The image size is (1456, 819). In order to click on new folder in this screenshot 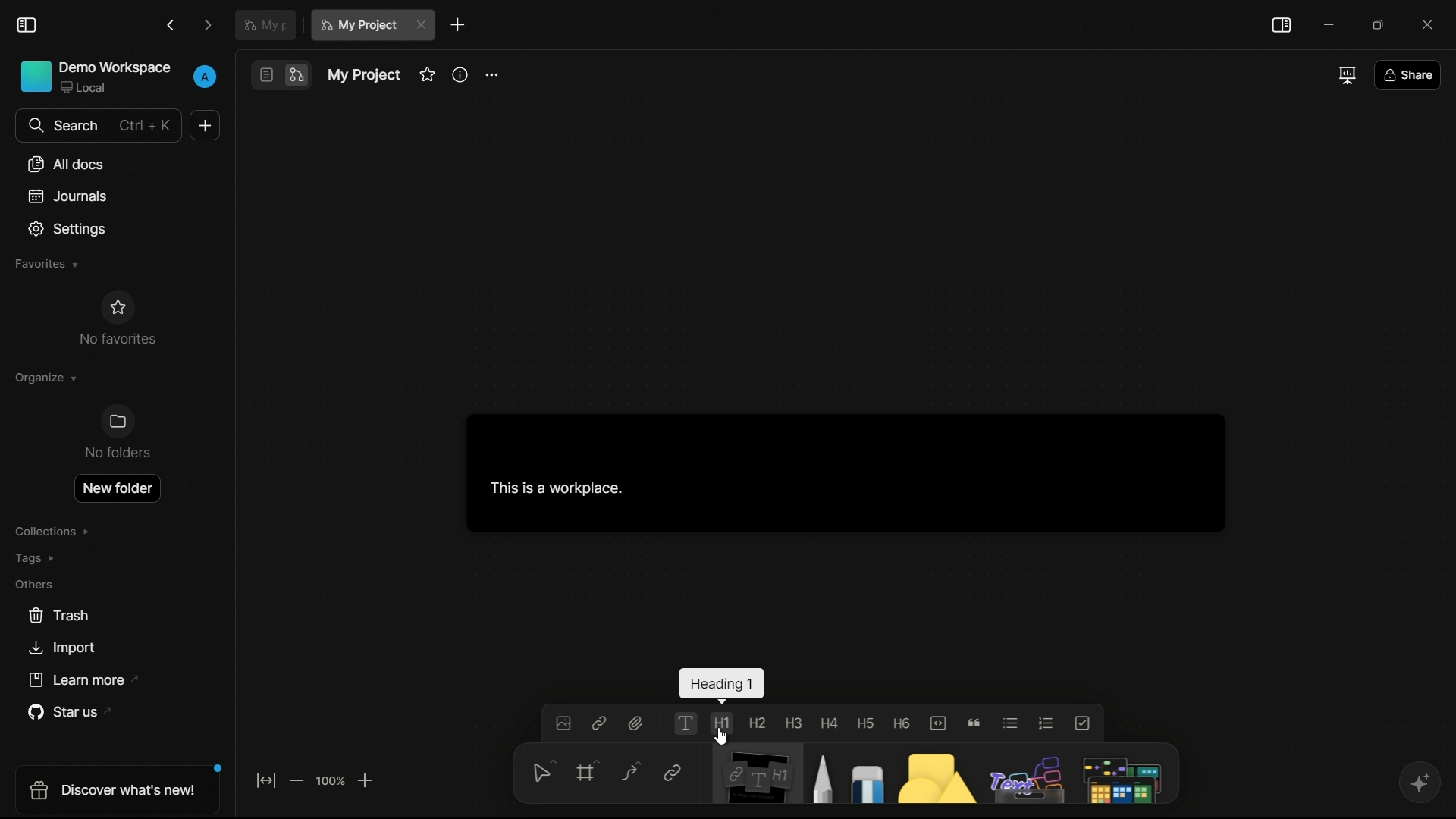, I will do `click(117, 485)`.